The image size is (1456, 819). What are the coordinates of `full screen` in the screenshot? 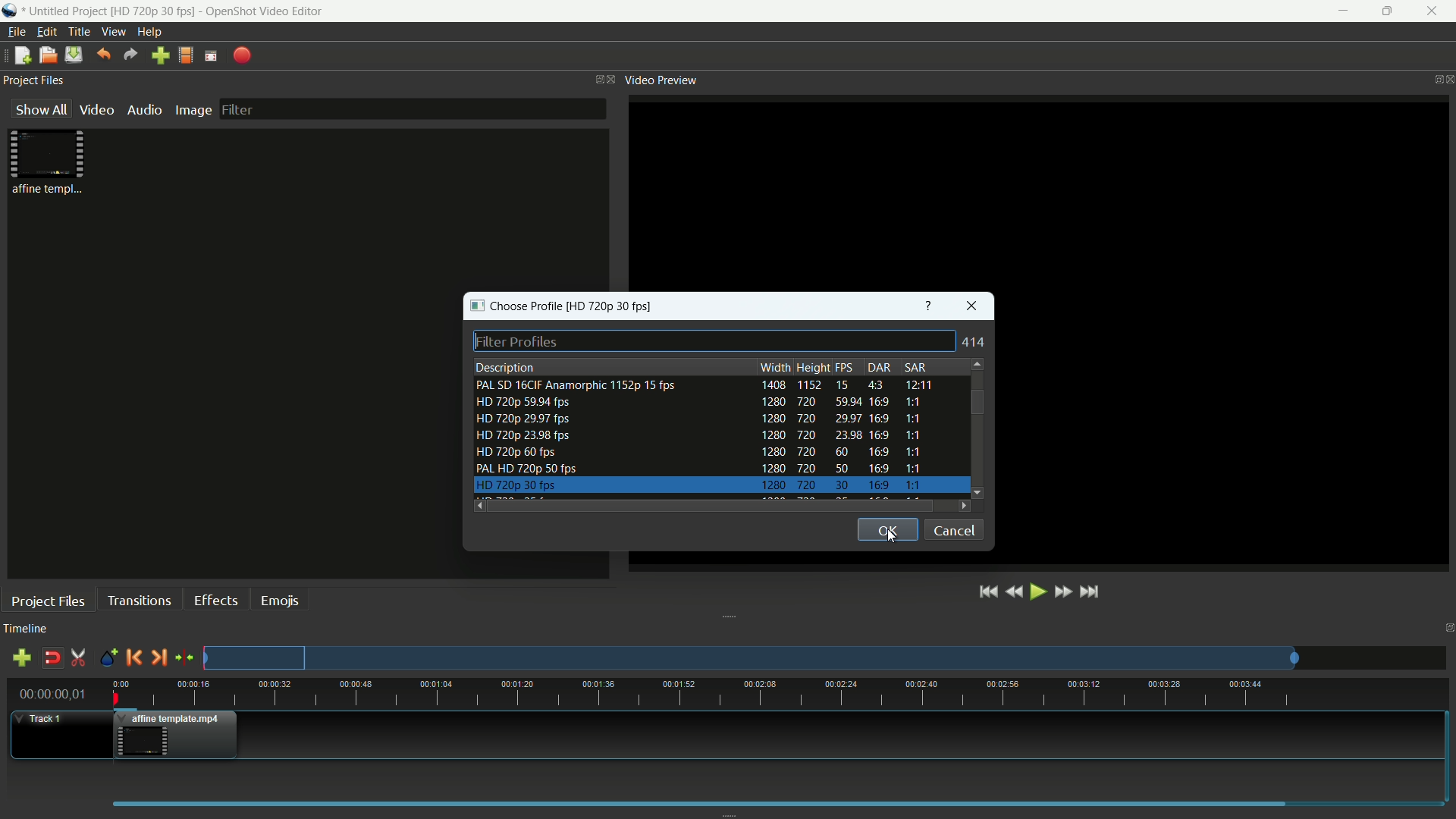 It's located at (212, 57).